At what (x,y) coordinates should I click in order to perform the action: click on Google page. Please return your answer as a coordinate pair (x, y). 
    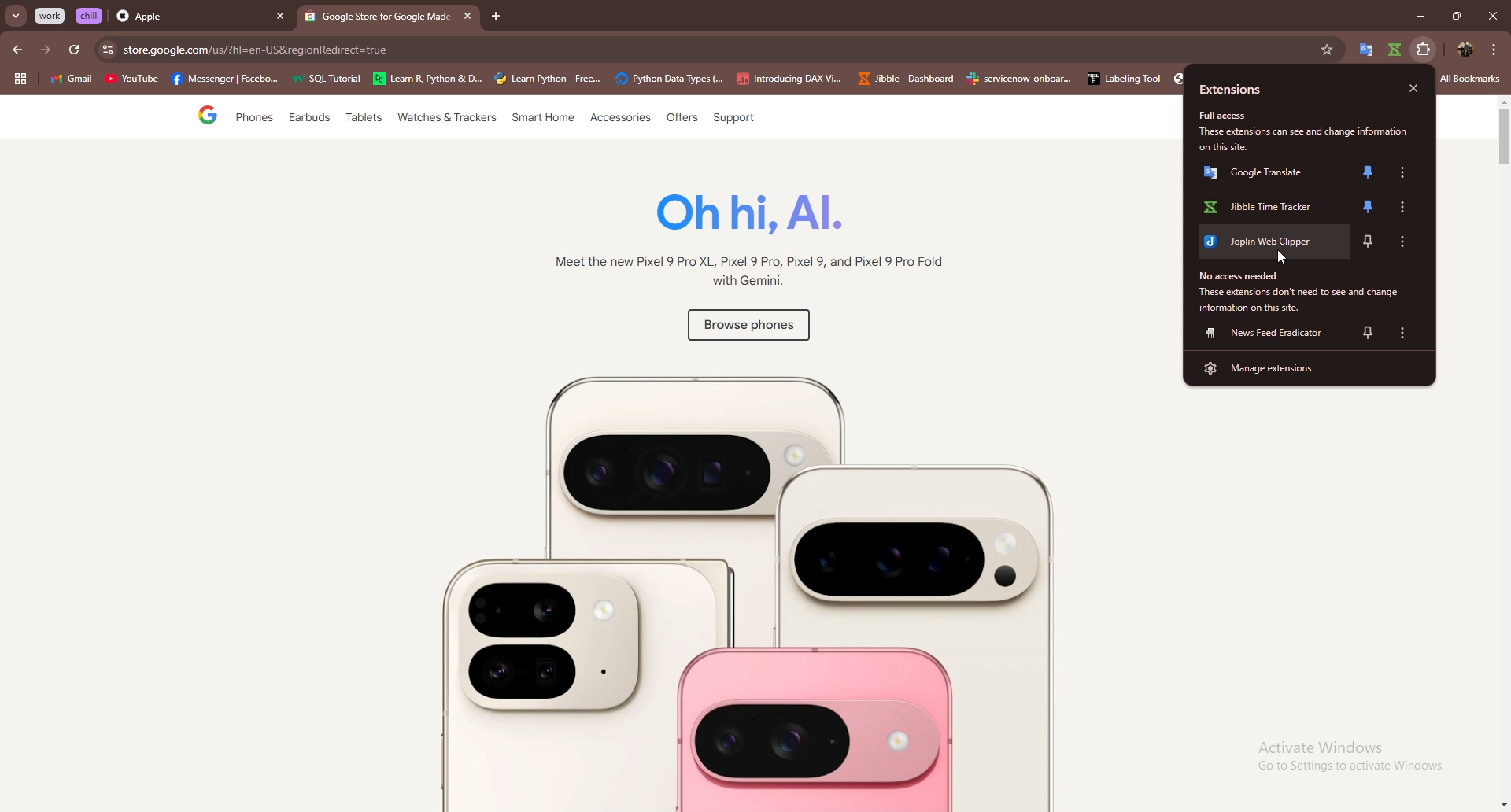
    Looking at the image, I should click on (194, 117).